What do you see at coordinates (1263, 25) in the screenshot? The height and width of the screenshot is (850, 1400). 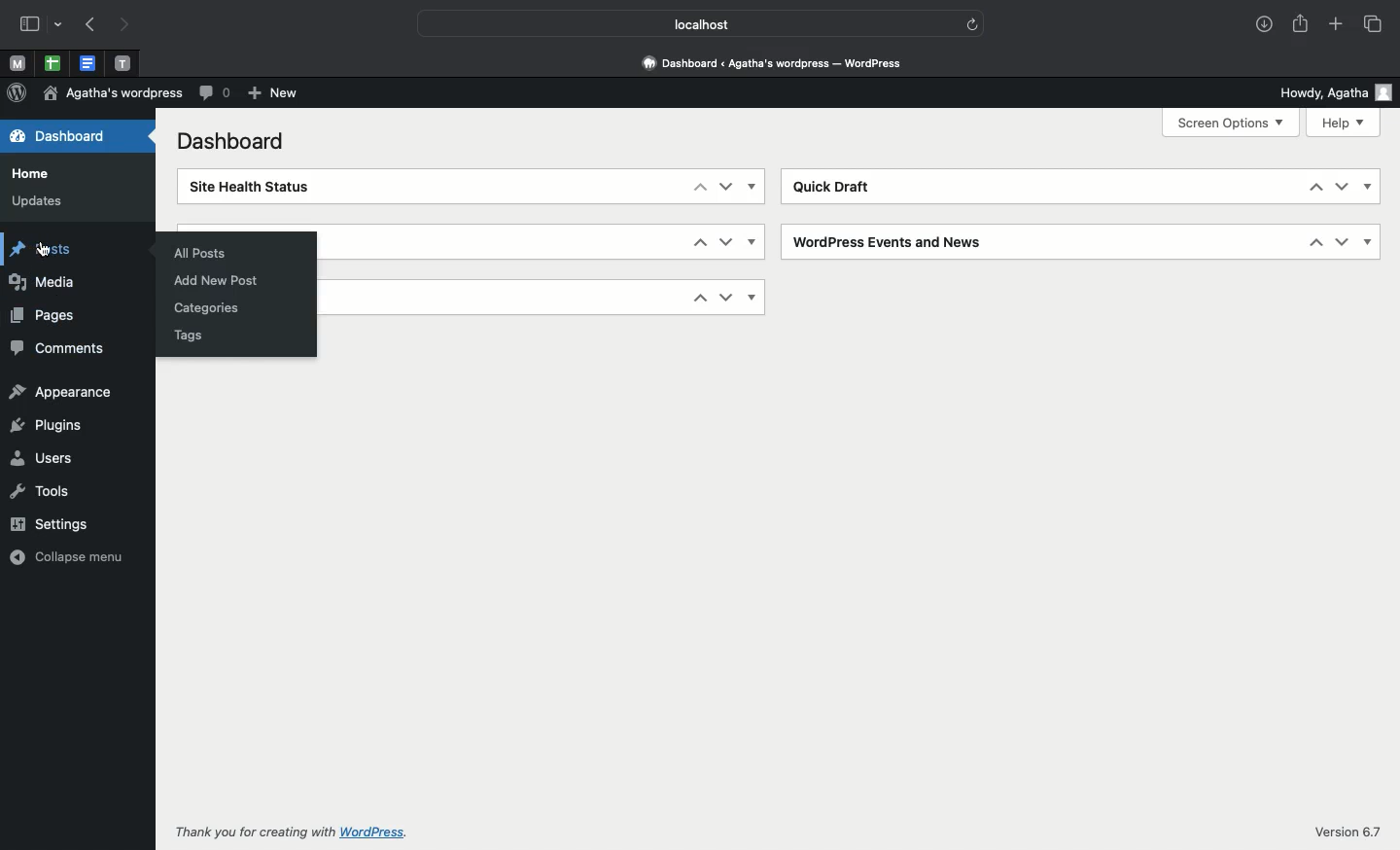 I see `Downloads` at bounding box center [1263, 25].